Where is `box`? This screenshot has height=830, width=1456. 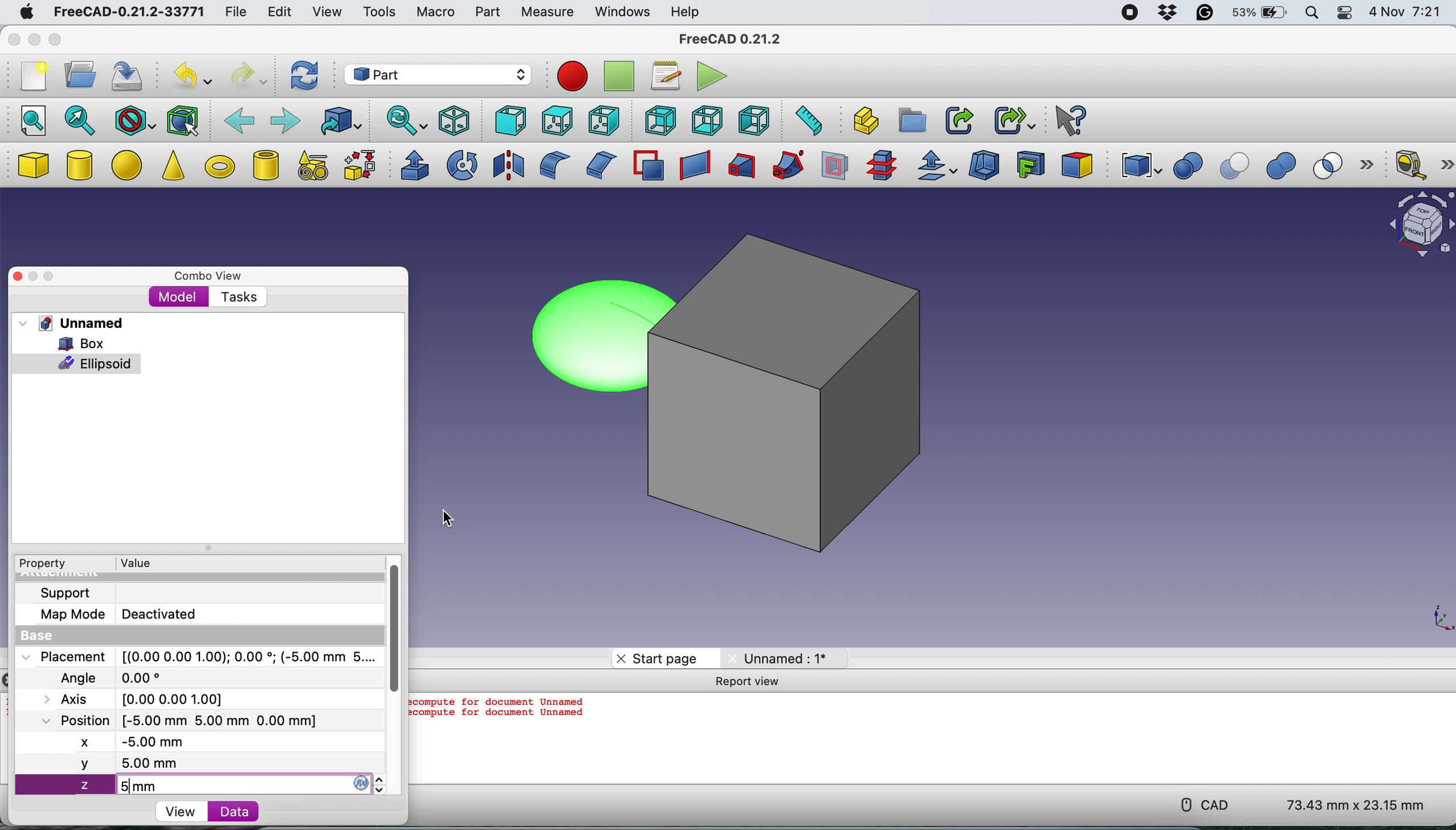
box is located at coordinates (797, 388).